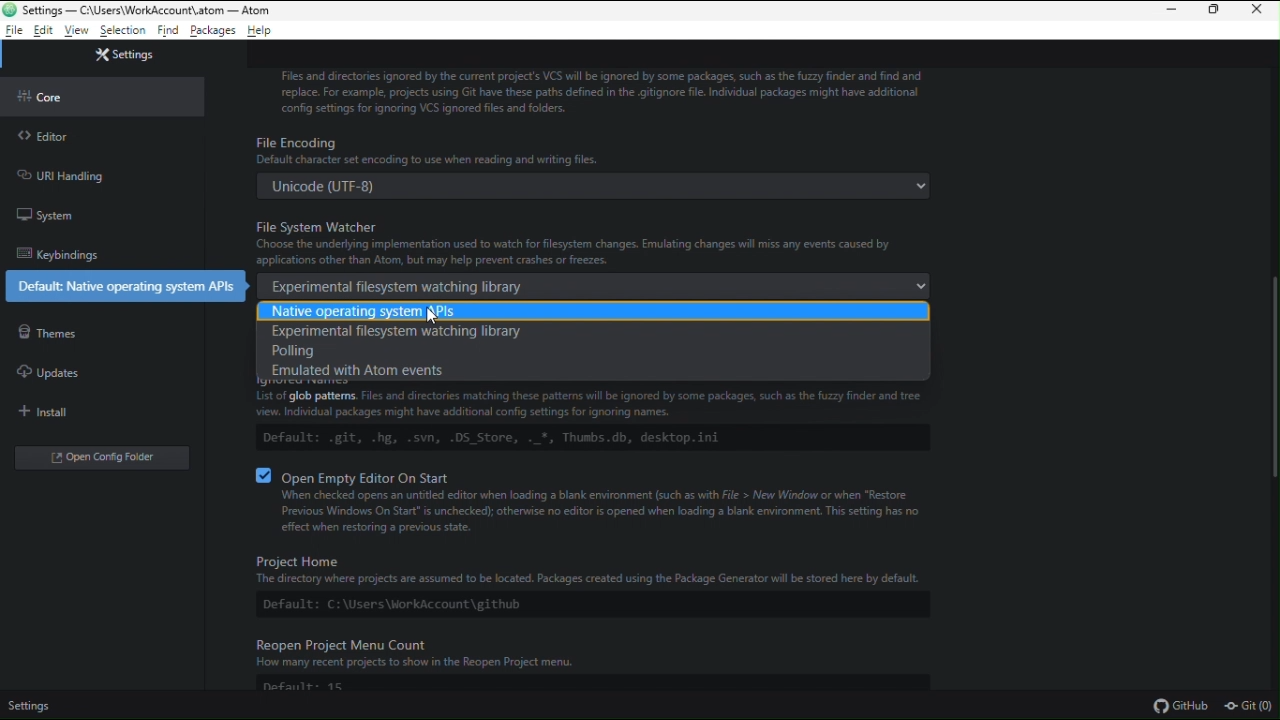 The height and width of the screenshot is (720, 1280). Describe the element at coordinates (60, 175) in the screenshot. I see `URL handling` at that location.